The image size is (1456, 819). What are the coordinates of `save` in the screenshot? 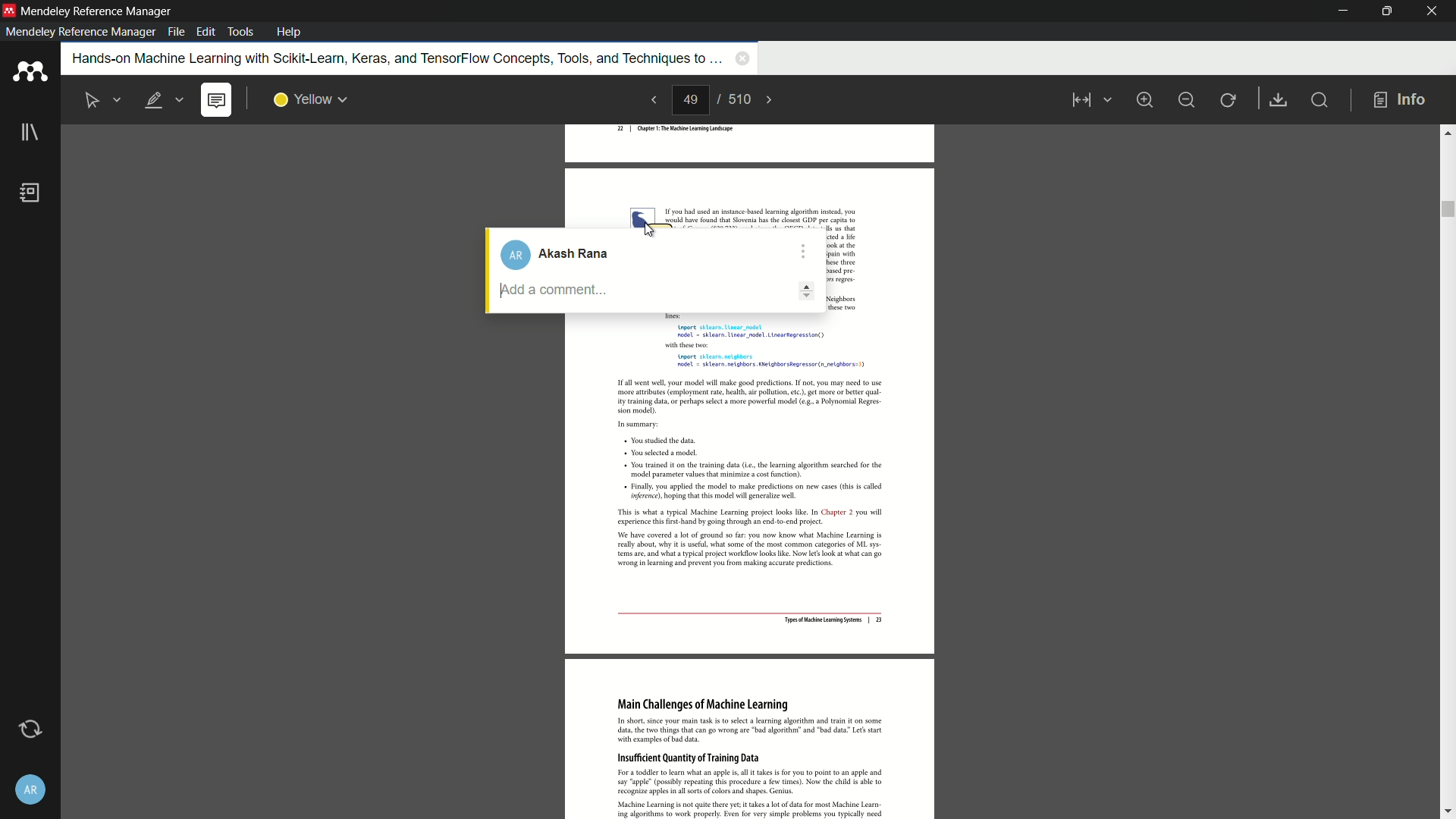 It's located at (1280, 100).